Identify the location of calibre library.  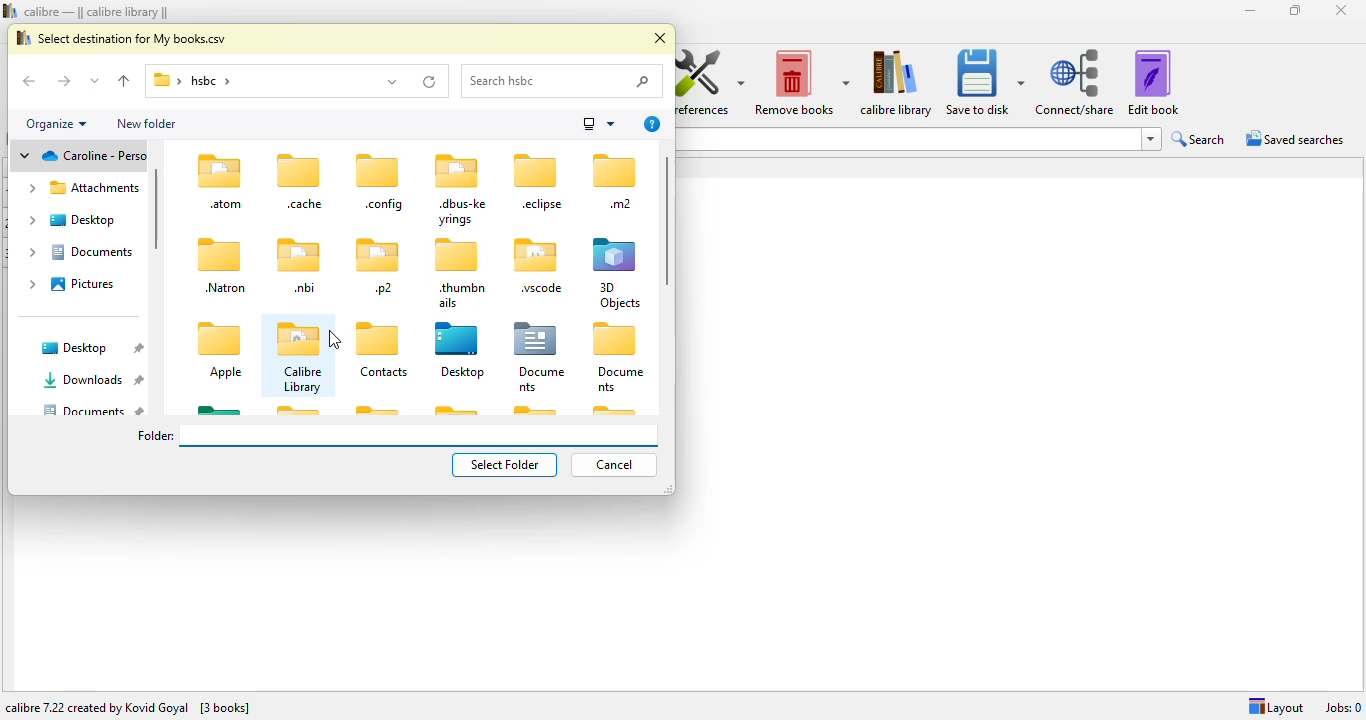
(299, 356).